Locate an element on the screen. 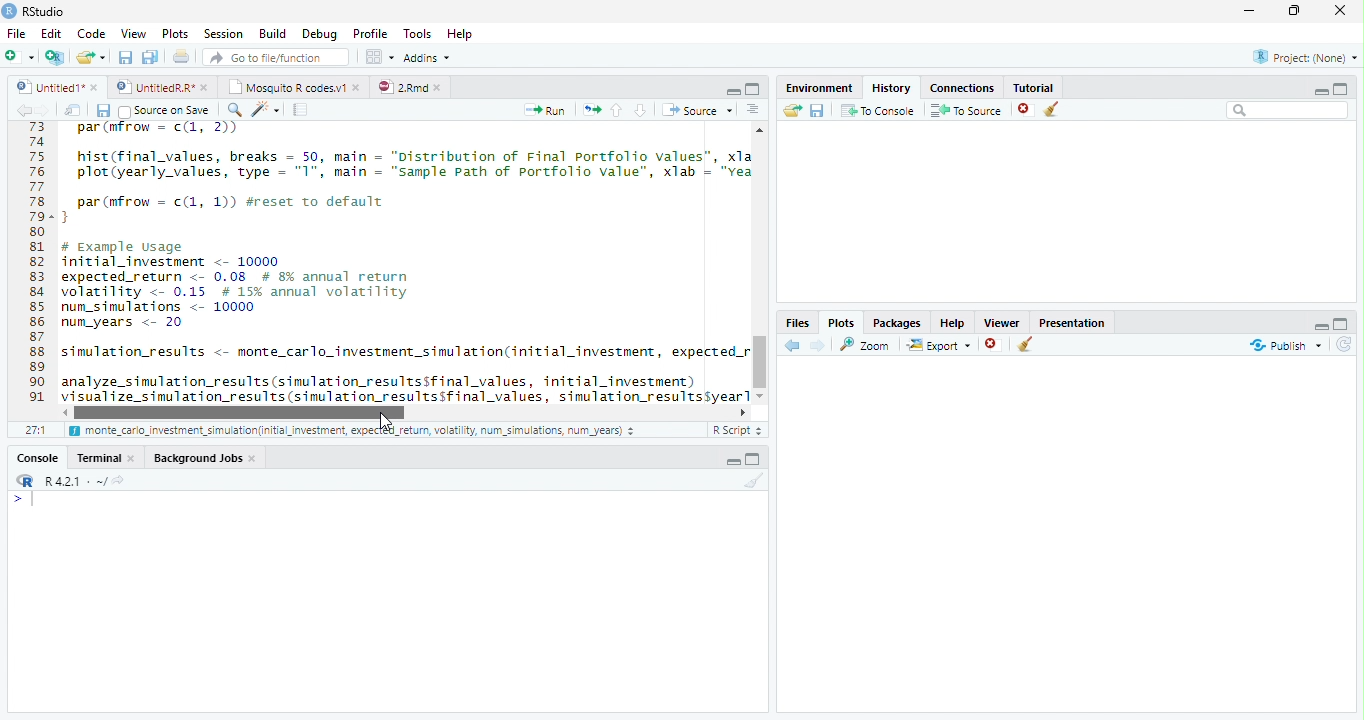 This screenshot has width=1364, height=720.  is located at coordinates (732, 89).